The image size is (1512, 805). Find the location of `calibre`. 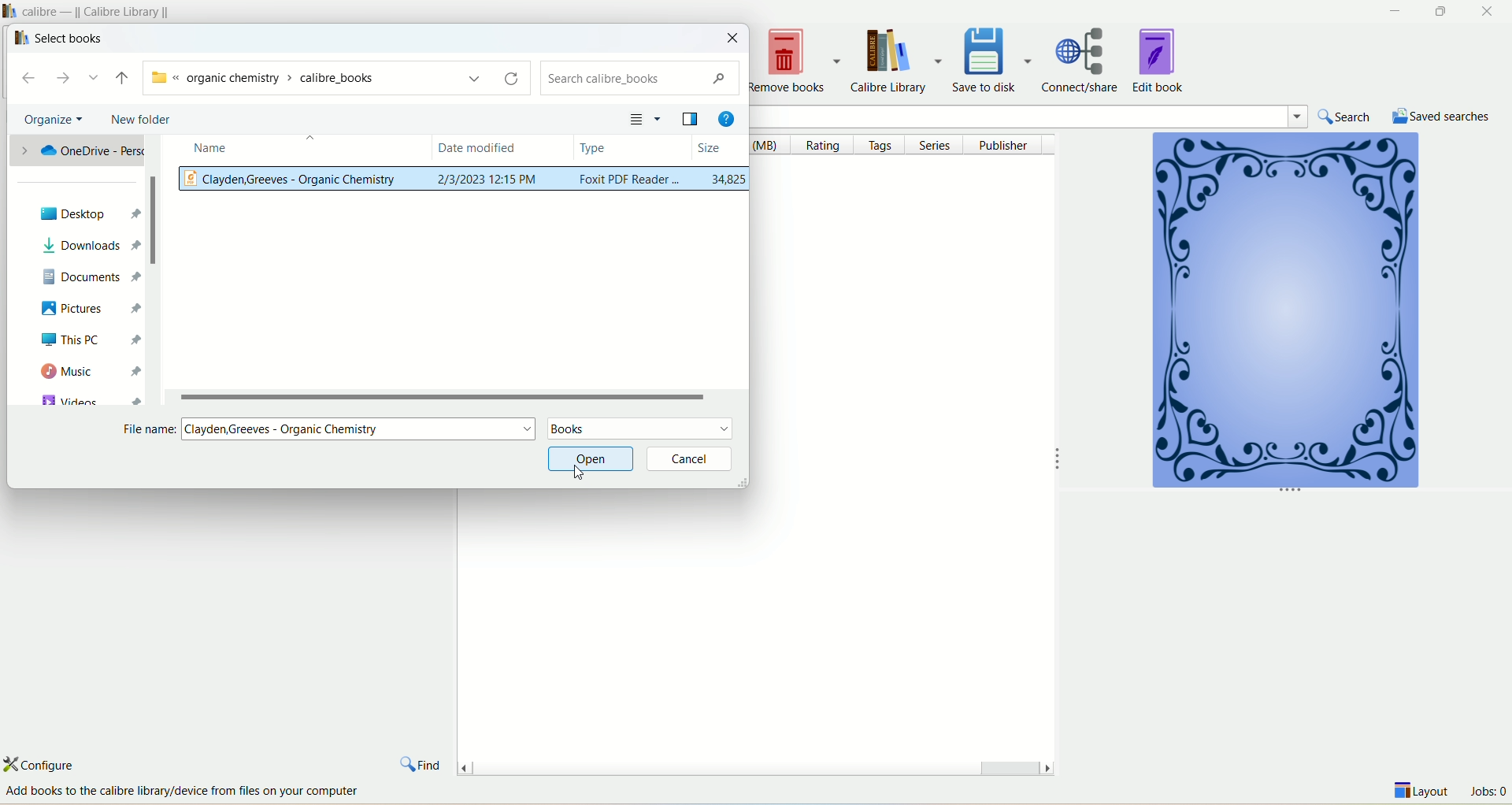

calibre is located at coordinates (101, 10).